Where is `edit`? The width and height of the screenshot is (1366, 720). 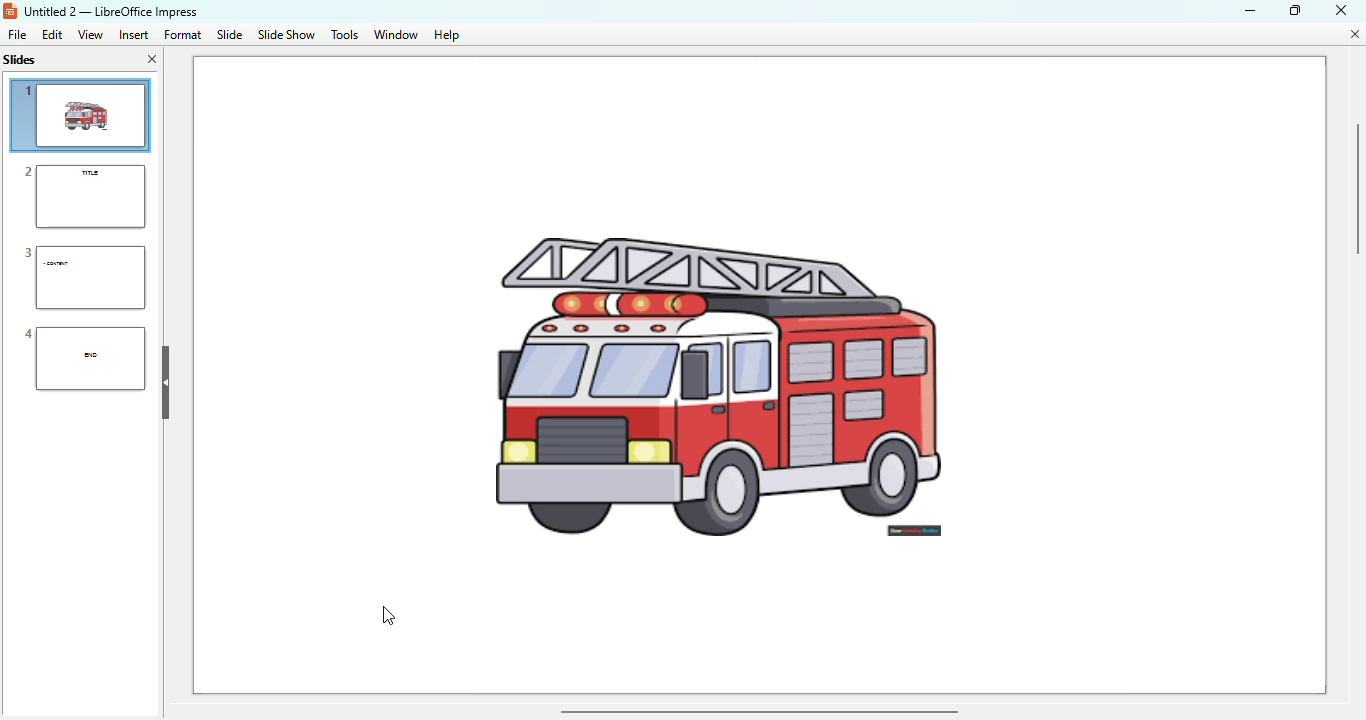 edit is located at coordinates (52, 34).